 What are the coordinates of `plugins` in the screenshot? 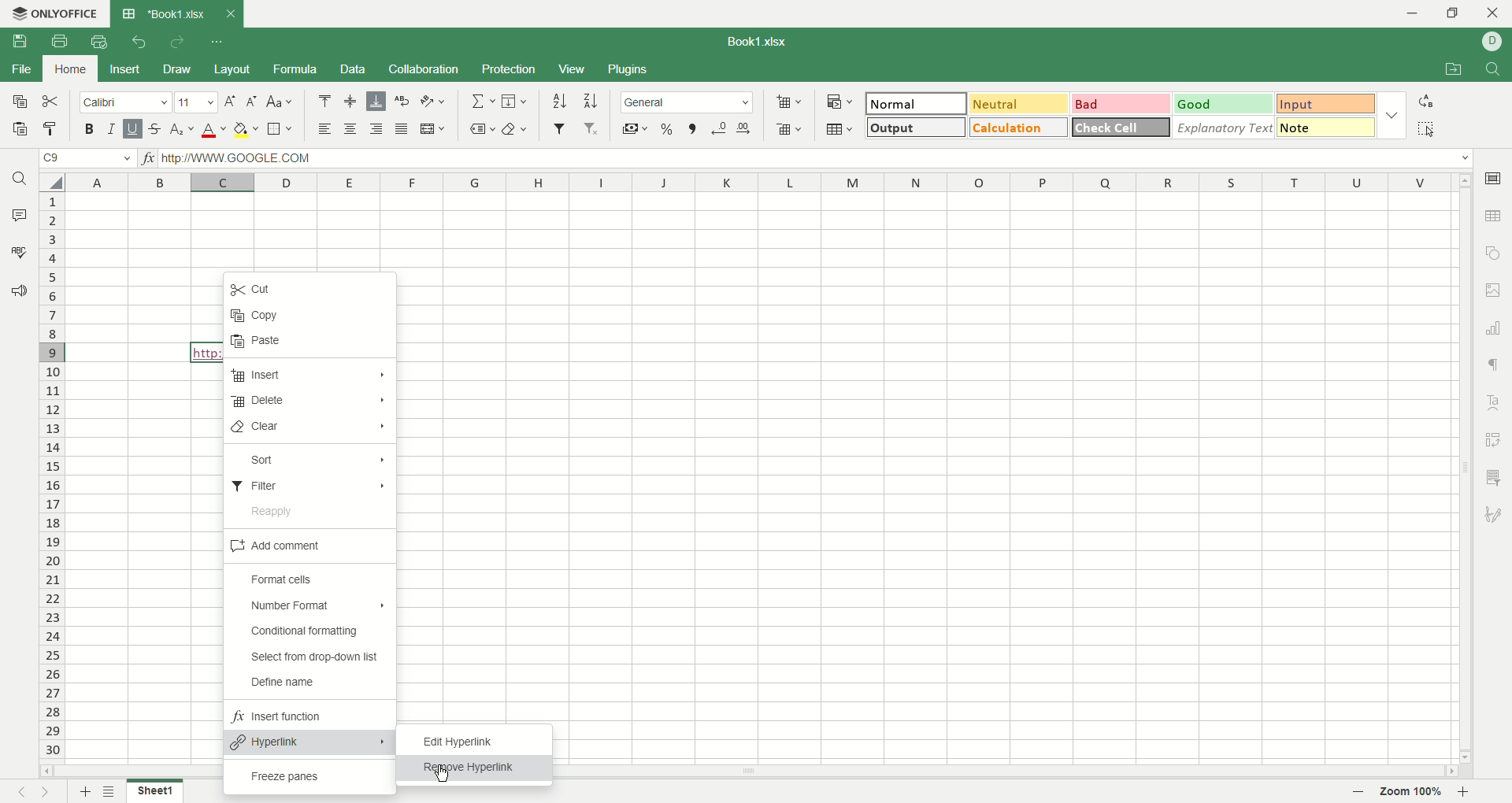 It's located at (628, 68).